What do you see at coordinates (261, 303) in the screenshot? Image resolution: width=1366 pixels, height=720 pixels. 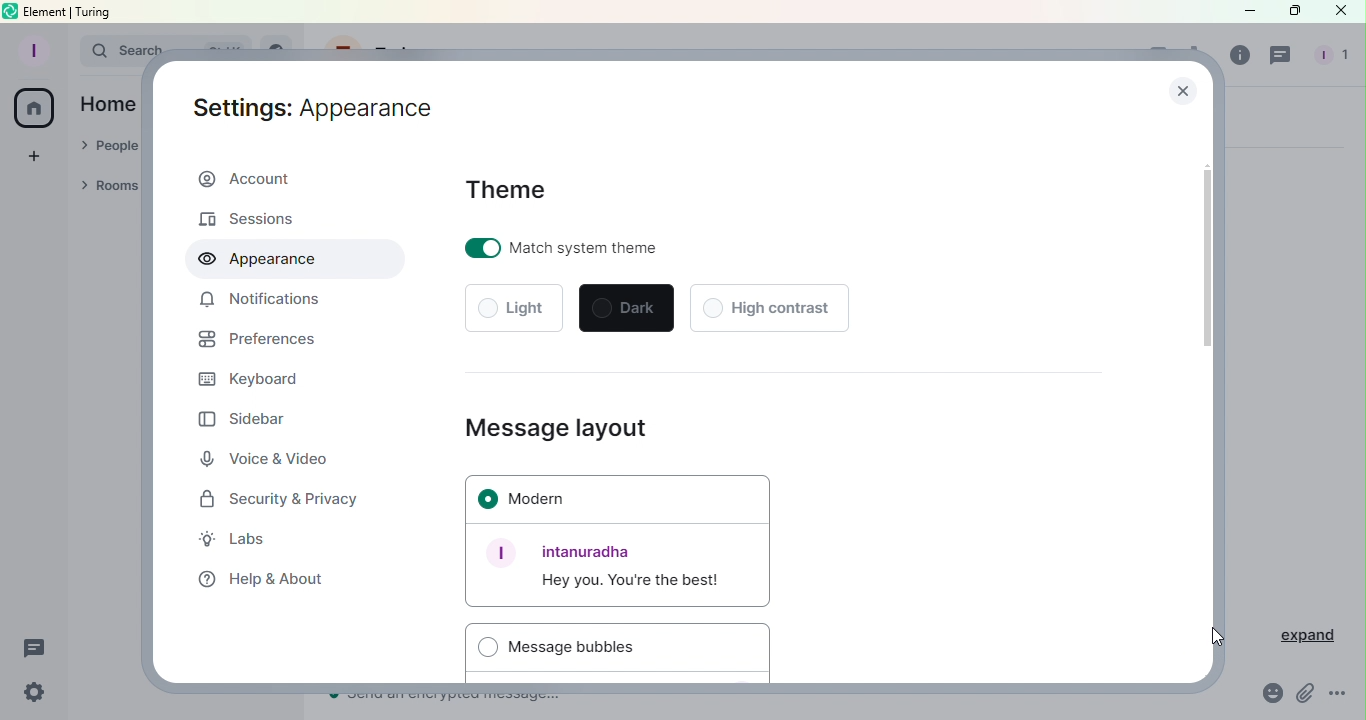 I see `Notifications` at bounding box center [261, 303].